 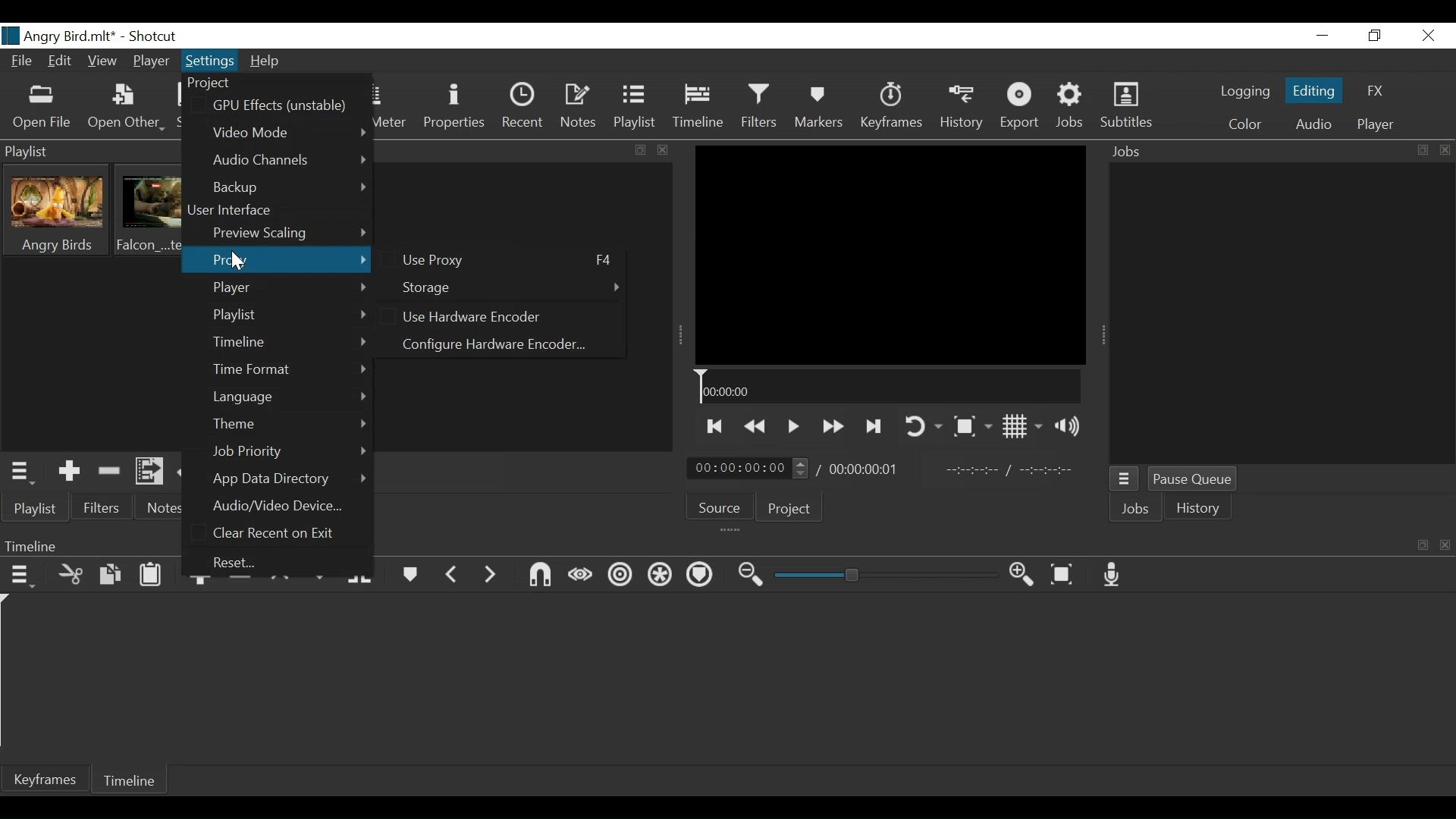 I want to click on Recent, so click(x=525, y=106).